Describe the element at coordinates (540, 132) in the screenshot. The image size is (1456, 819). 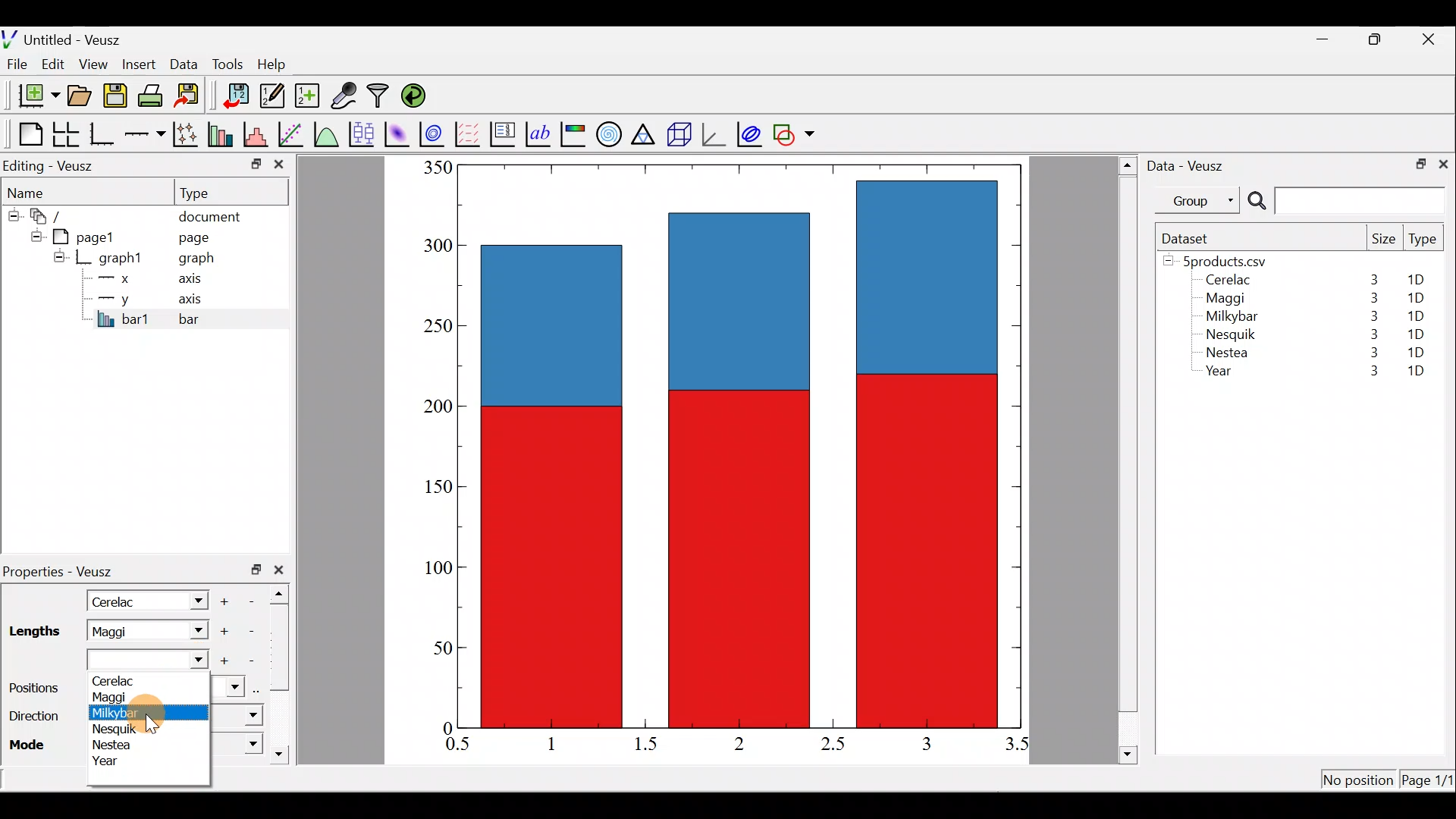
I see `Text label` at that location.